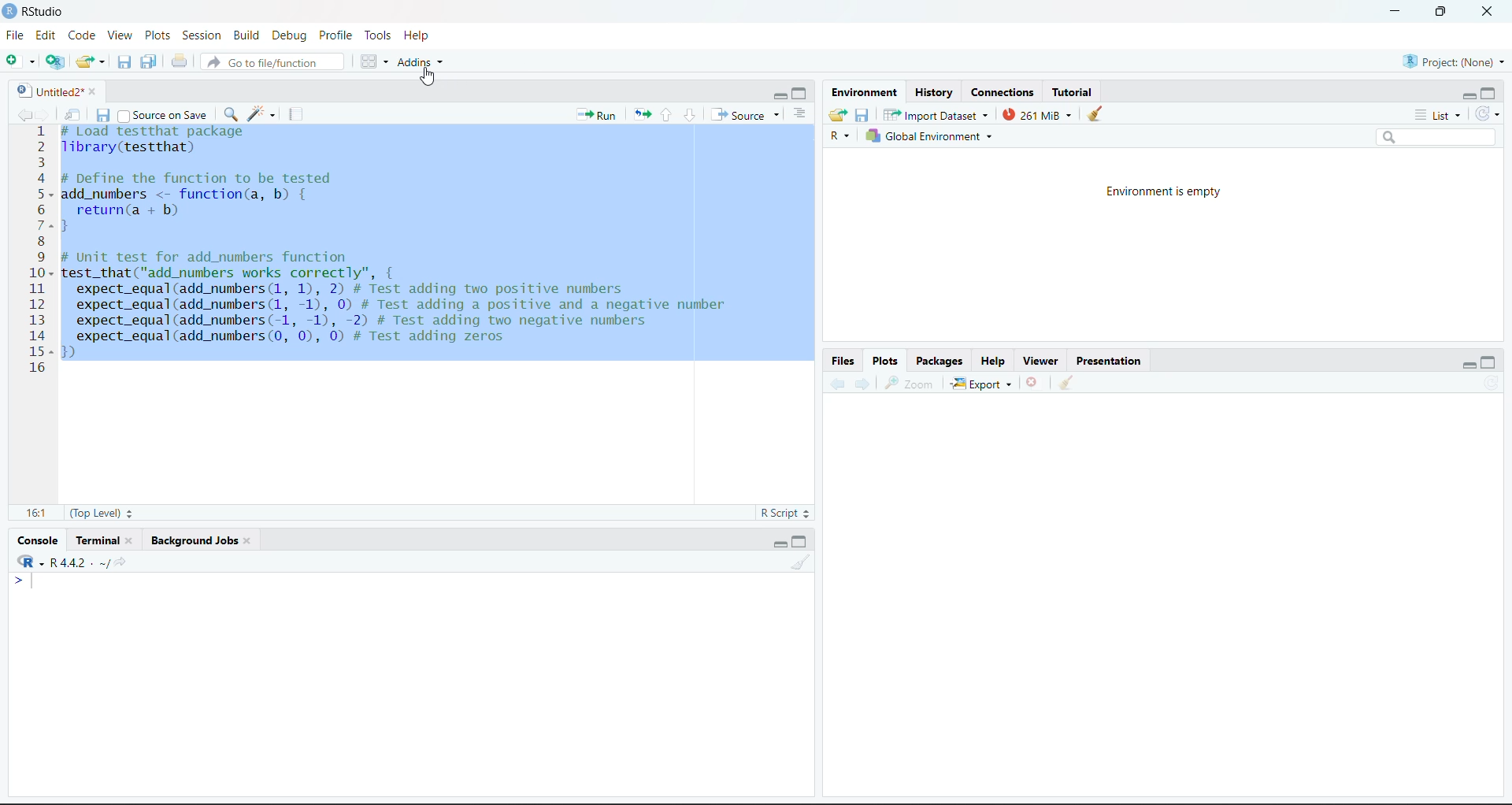  I want to click on Source, so click(747, 113).